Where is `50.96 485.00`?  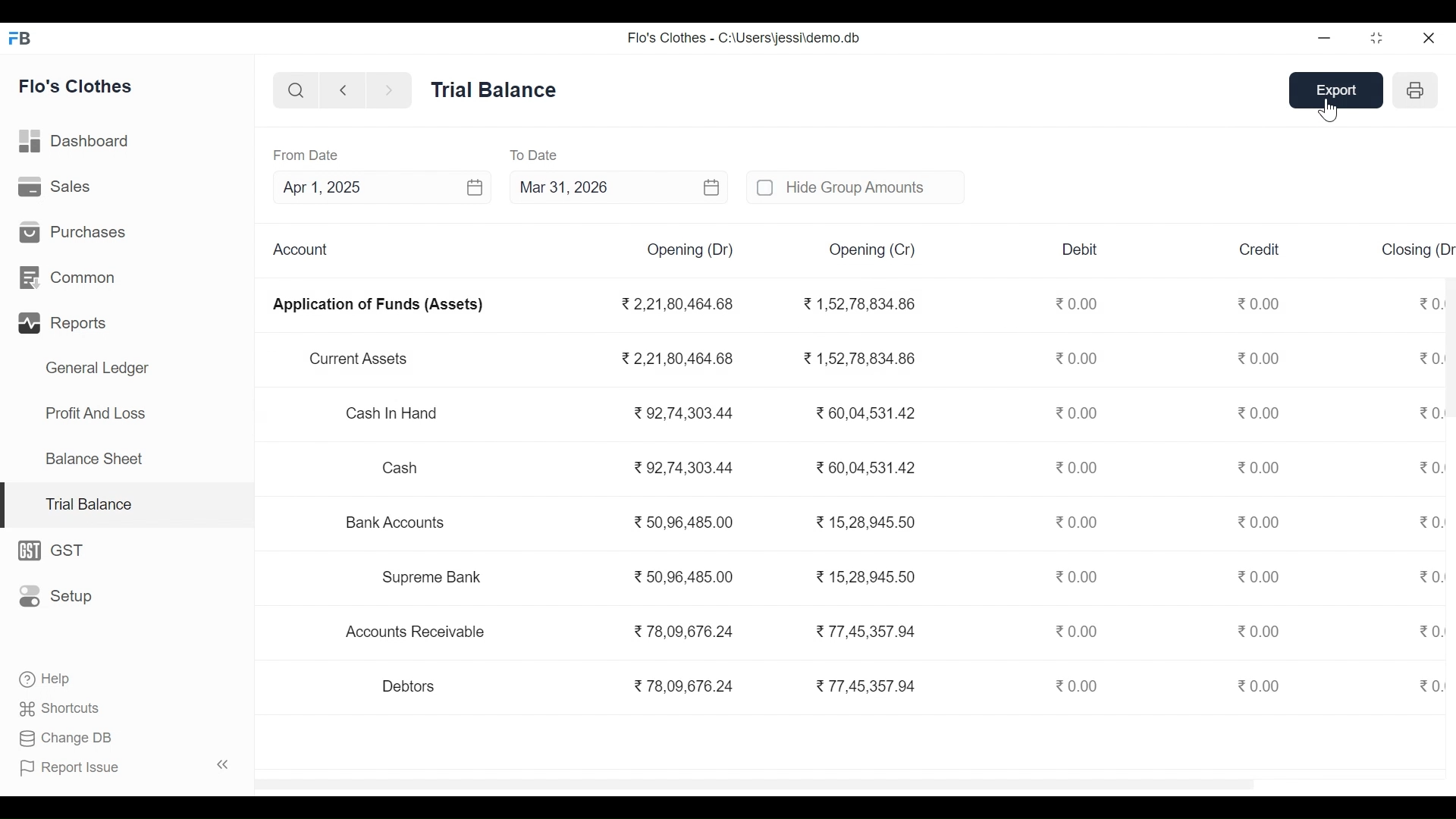 50.96 485.00 is located at coordinates (684, 521).